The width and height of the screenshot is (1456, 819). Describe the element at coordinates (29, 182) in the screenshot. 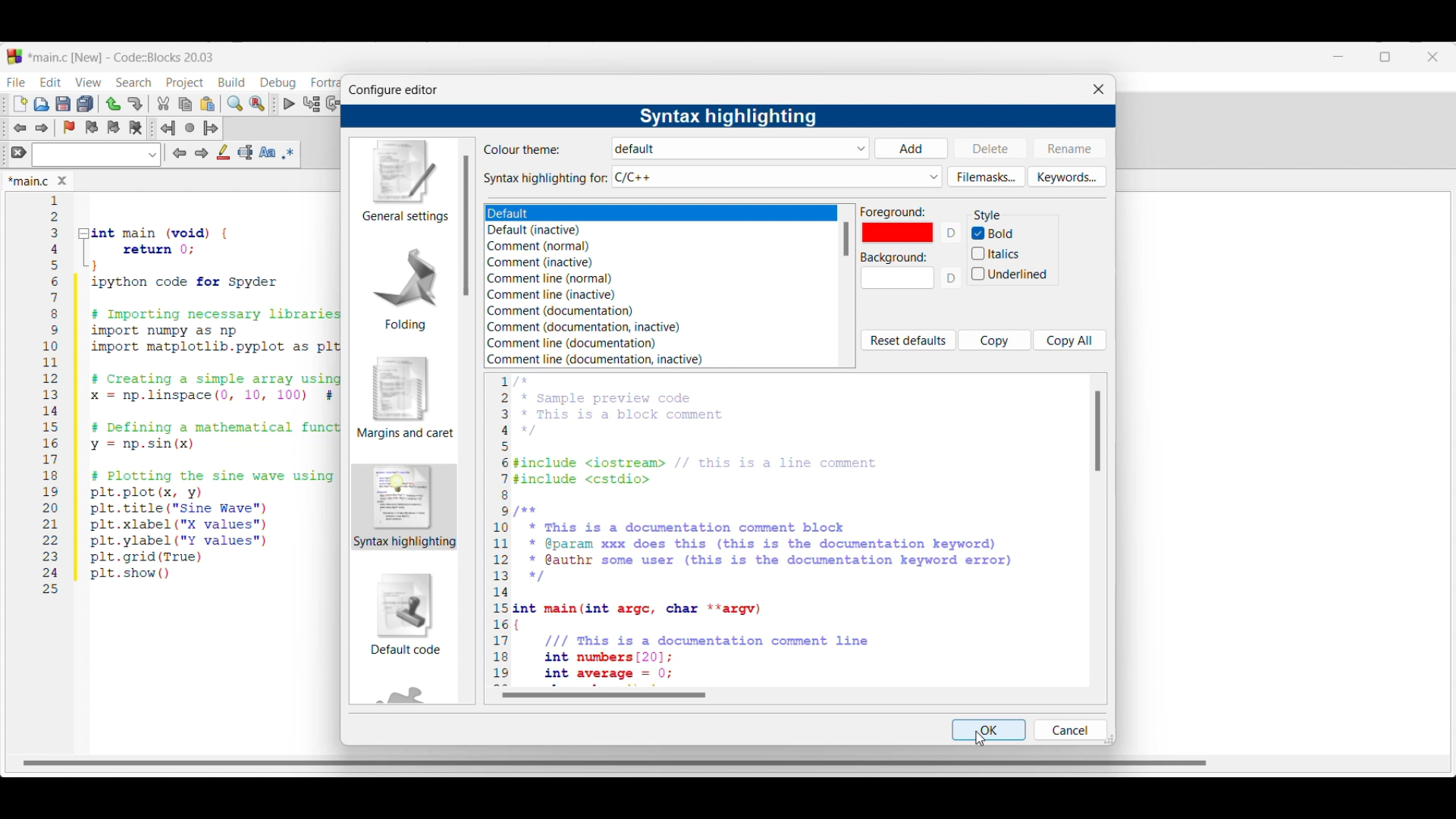

I see `Current tab` at that location.